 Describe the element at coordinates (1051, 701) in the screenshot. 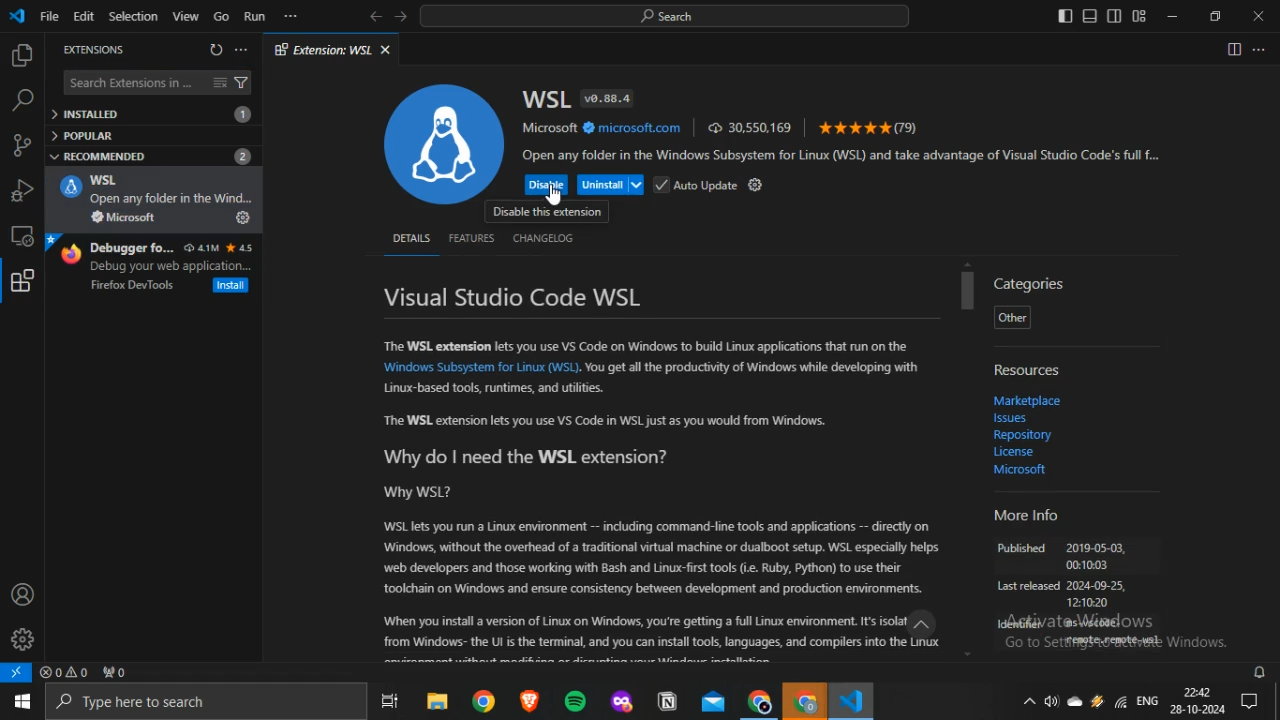

I see `volume` at that location.